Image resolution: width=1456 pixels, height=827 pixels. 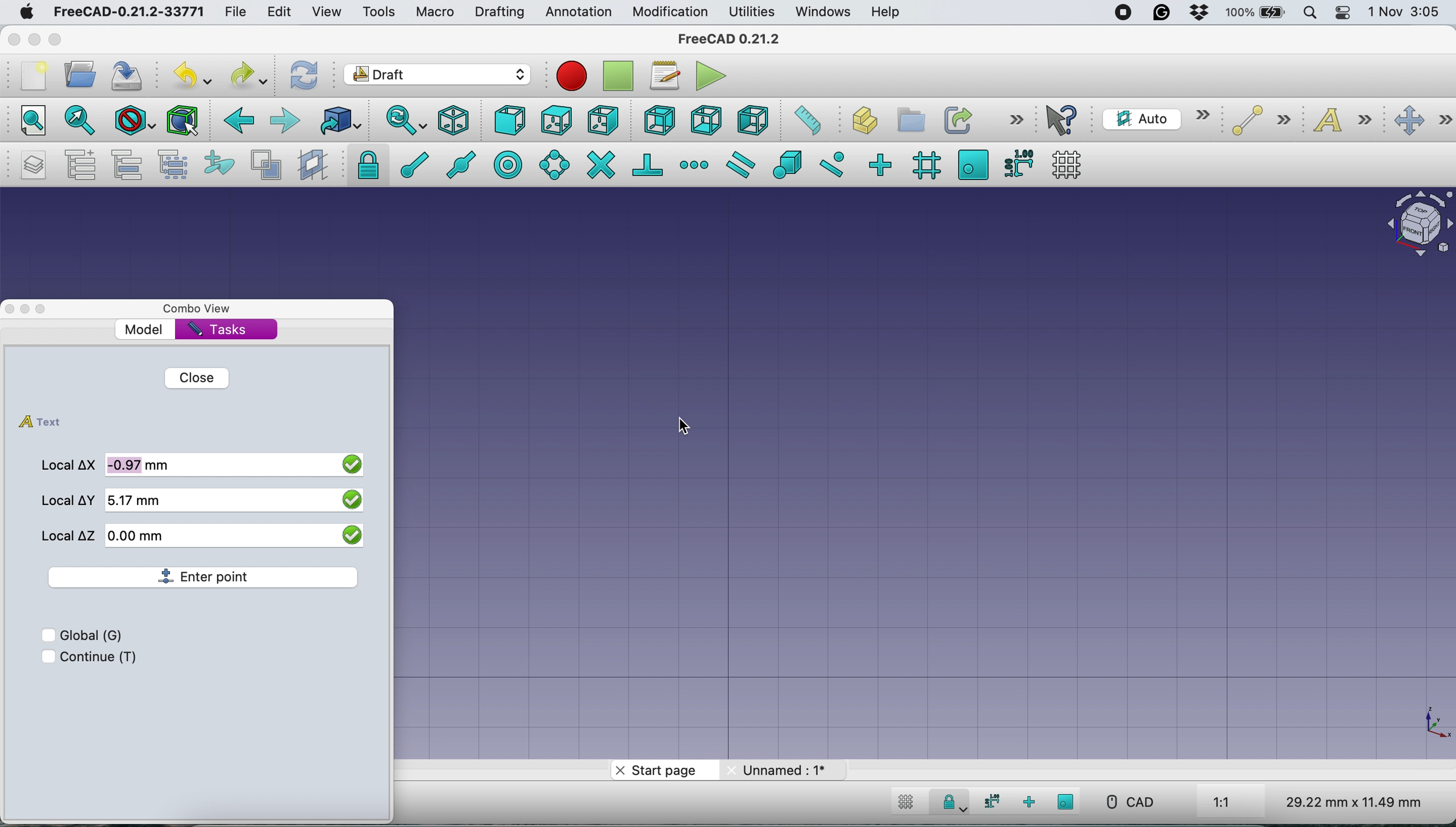 I want to click on current working plane, so click(x=1153, y=119).